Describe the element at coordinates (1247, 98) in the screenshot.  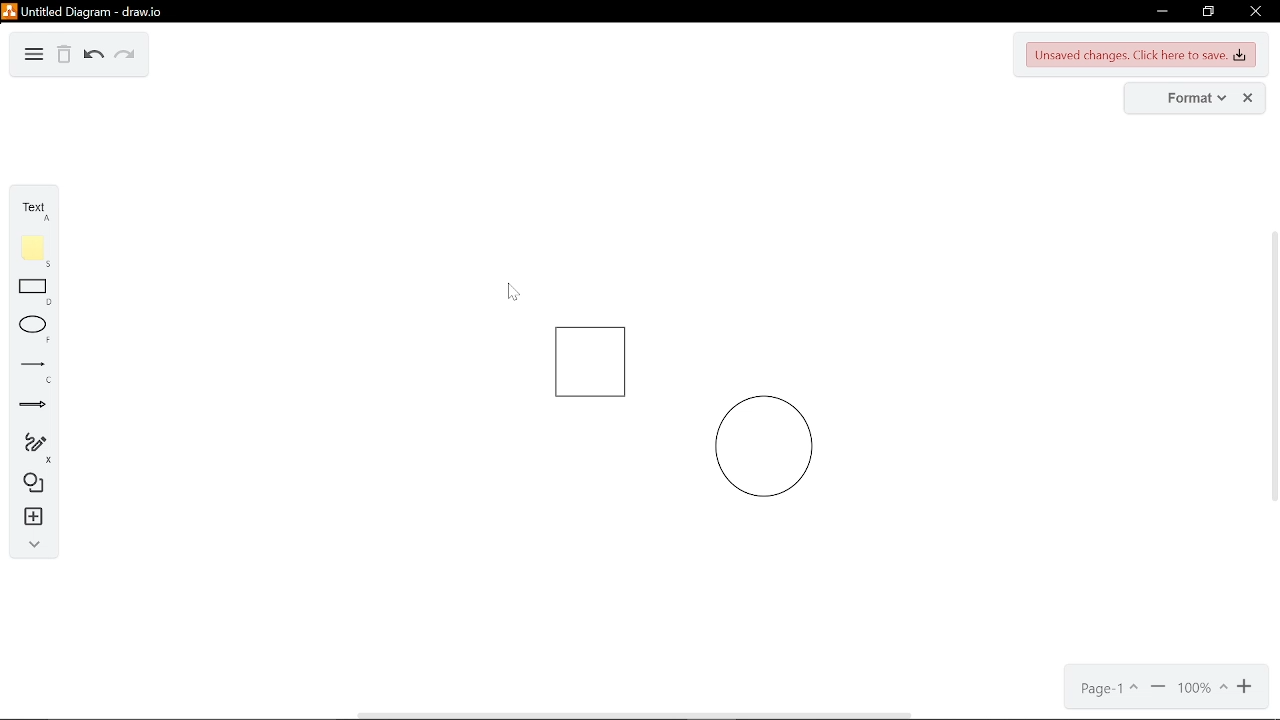
I see `close format` at that location.